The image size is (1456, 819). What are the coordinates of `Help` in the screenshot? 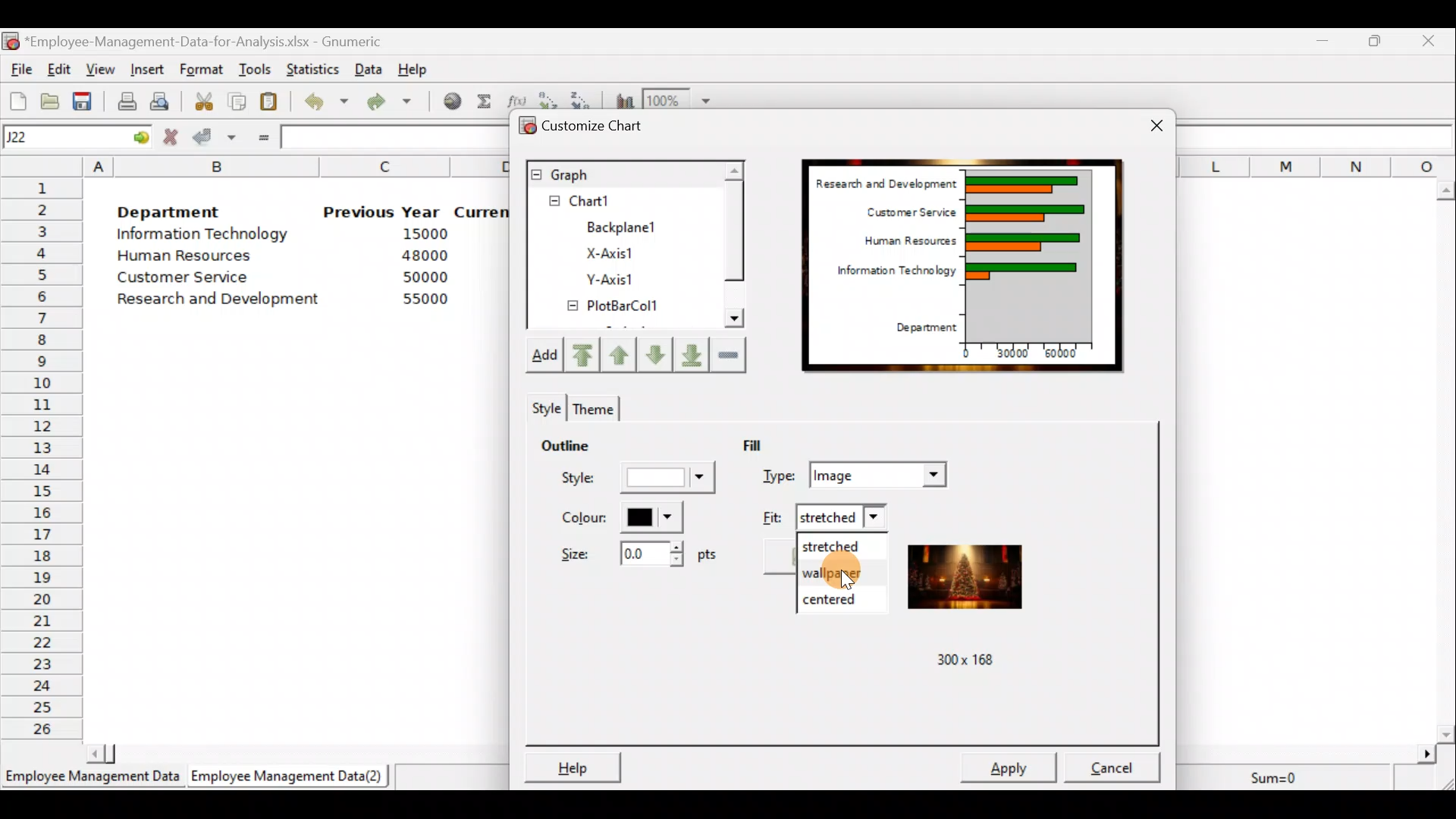 It's located at (573, 764).